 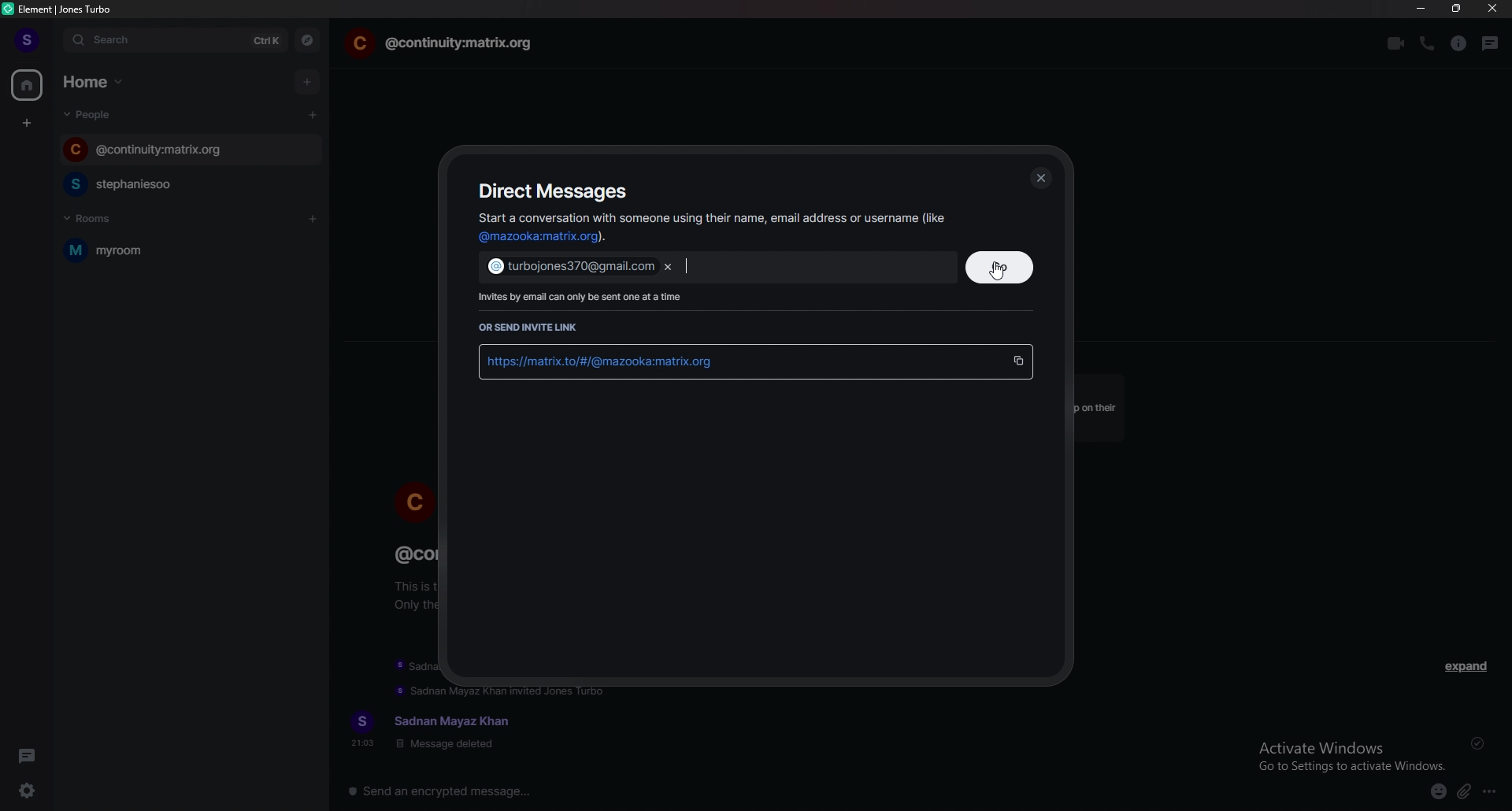 I want to click on email, so click(x=570, y=267).